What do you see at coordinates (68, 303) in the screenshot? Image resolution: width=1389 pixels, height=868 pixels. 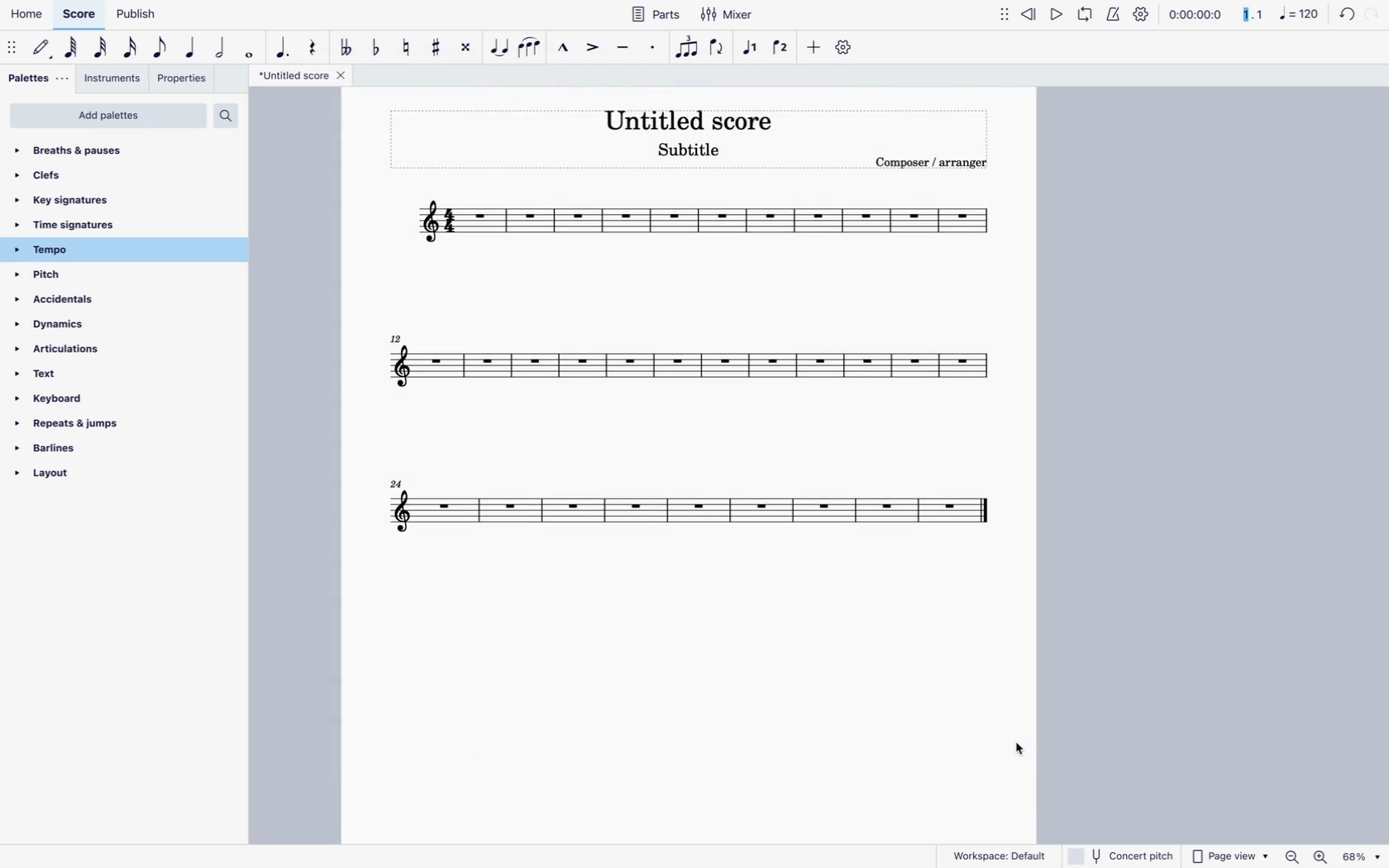 I see `accidentals` at bounding box center [68, 303].